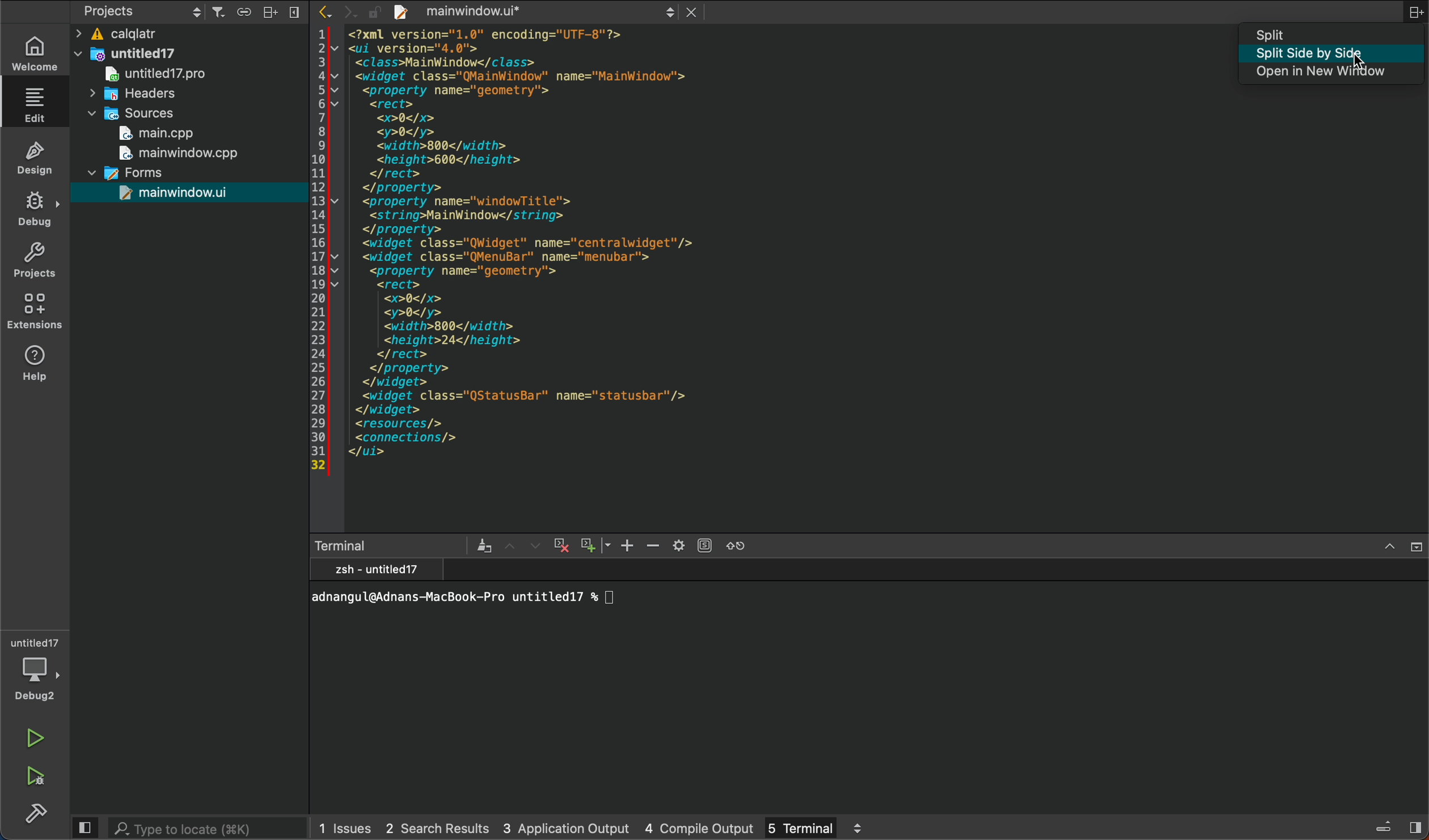 The height and width of the screenshot is (840, 1429). I want to click on terminal, so click(394, 546).